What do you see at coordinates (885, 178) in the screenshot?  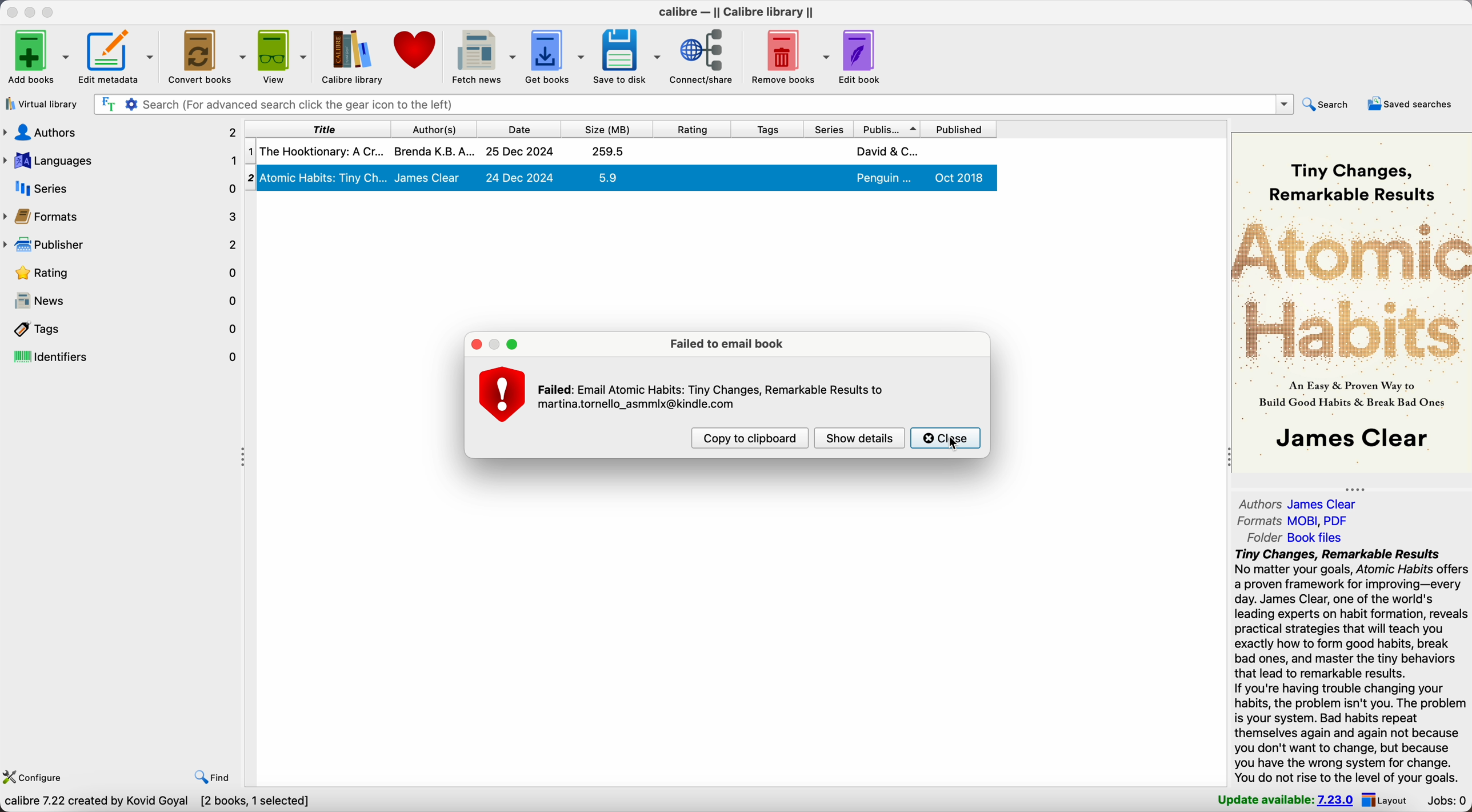 I see `Penguin` at bounding box center [885, 178].